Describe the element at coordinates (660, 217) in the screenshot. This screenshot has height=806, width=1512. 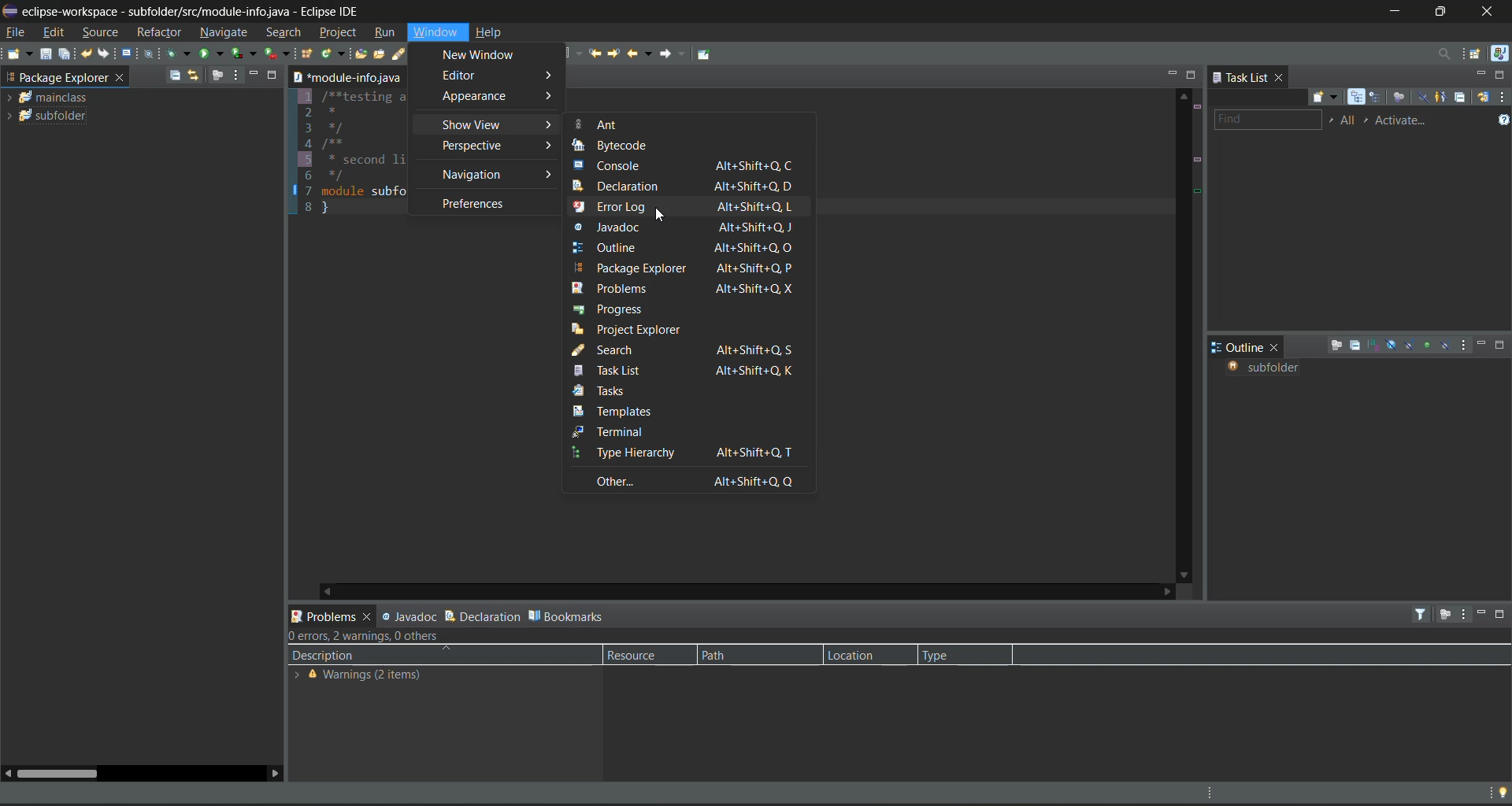
I see `cursor` at that location.